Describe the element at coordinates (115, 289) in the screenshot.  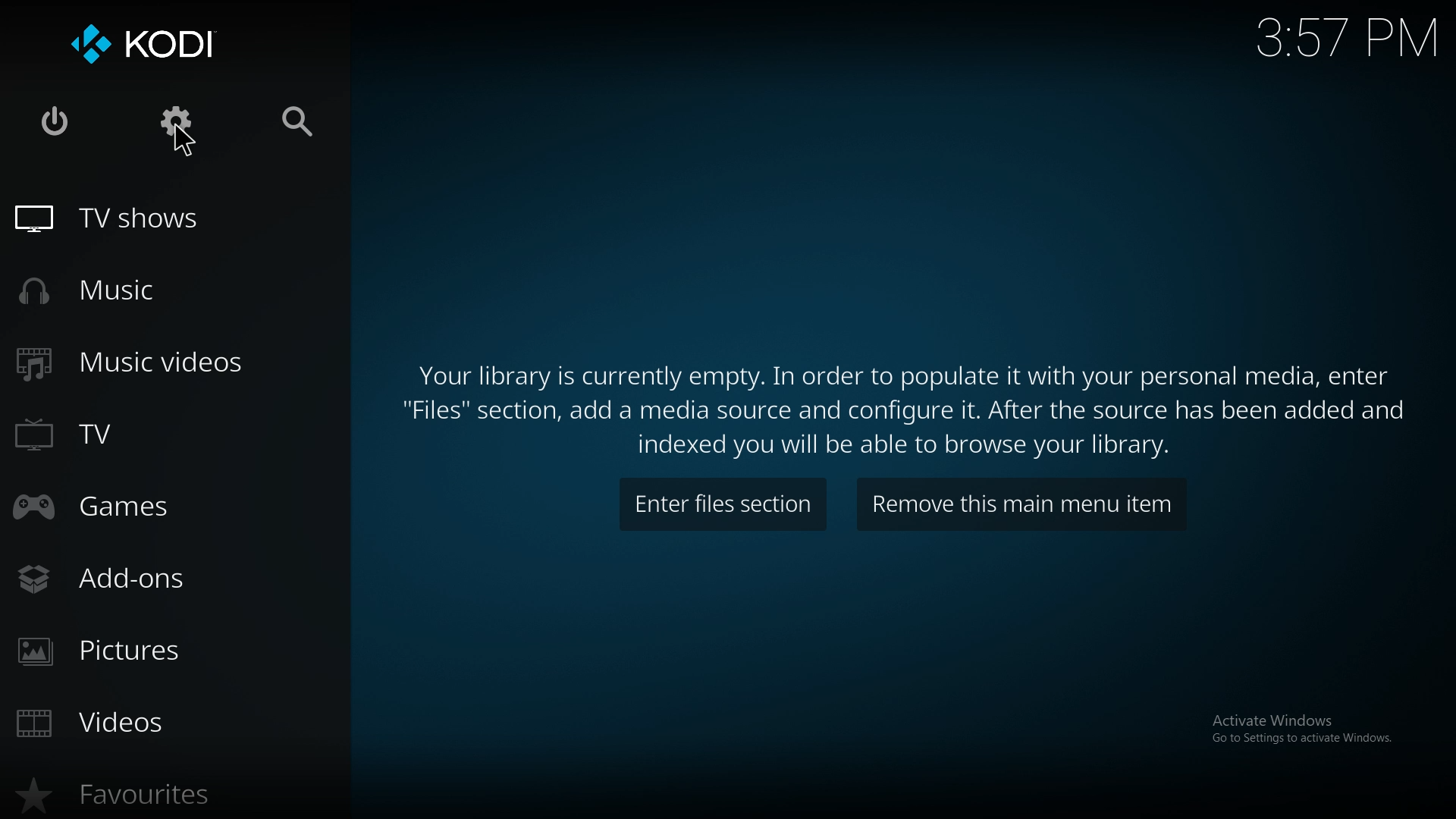
I see `music` at that location.